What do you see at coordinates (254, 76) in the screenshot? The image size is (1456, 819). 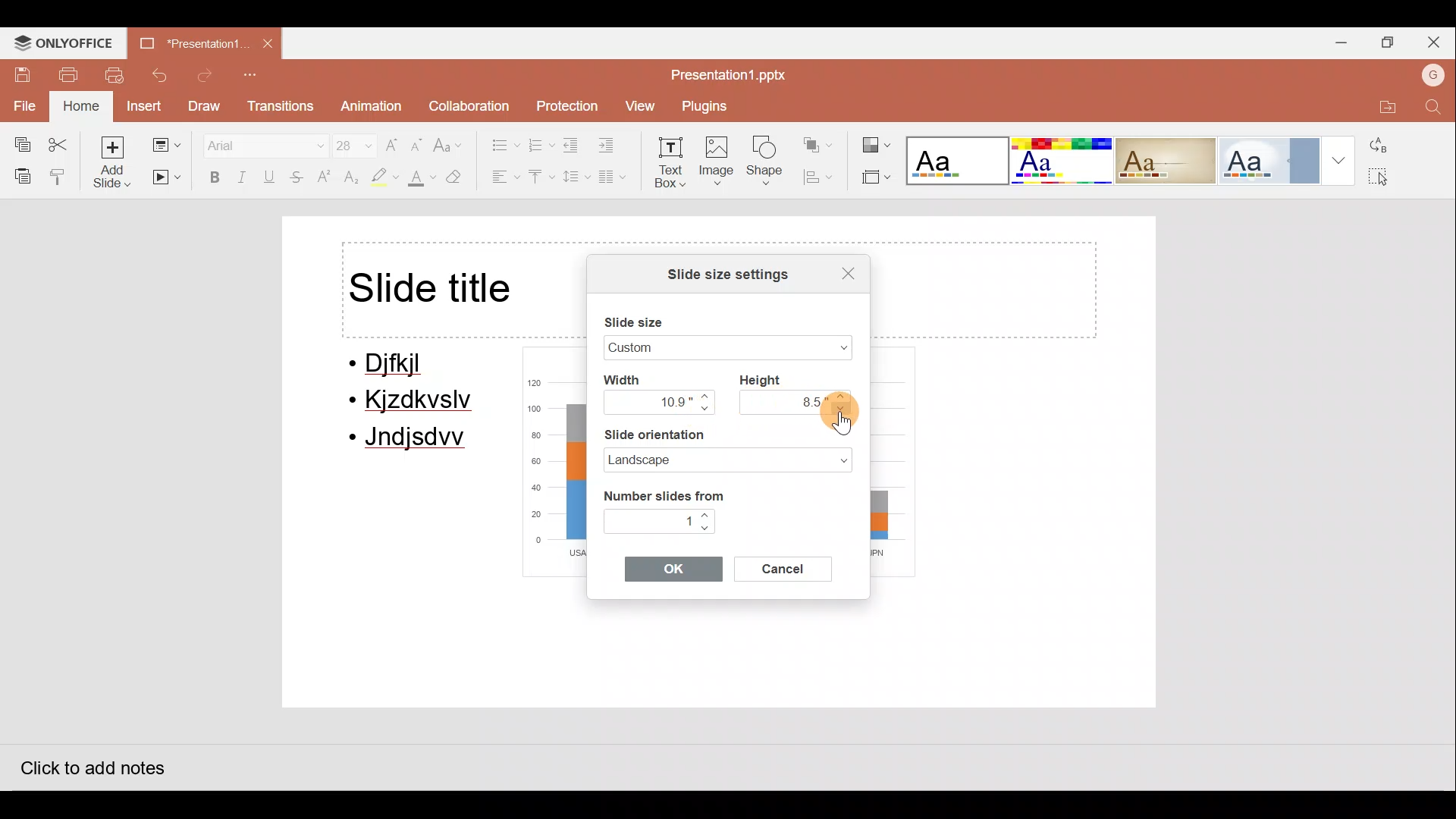 I see `Customize quick access toolbar` at bounding box center [254, 76].